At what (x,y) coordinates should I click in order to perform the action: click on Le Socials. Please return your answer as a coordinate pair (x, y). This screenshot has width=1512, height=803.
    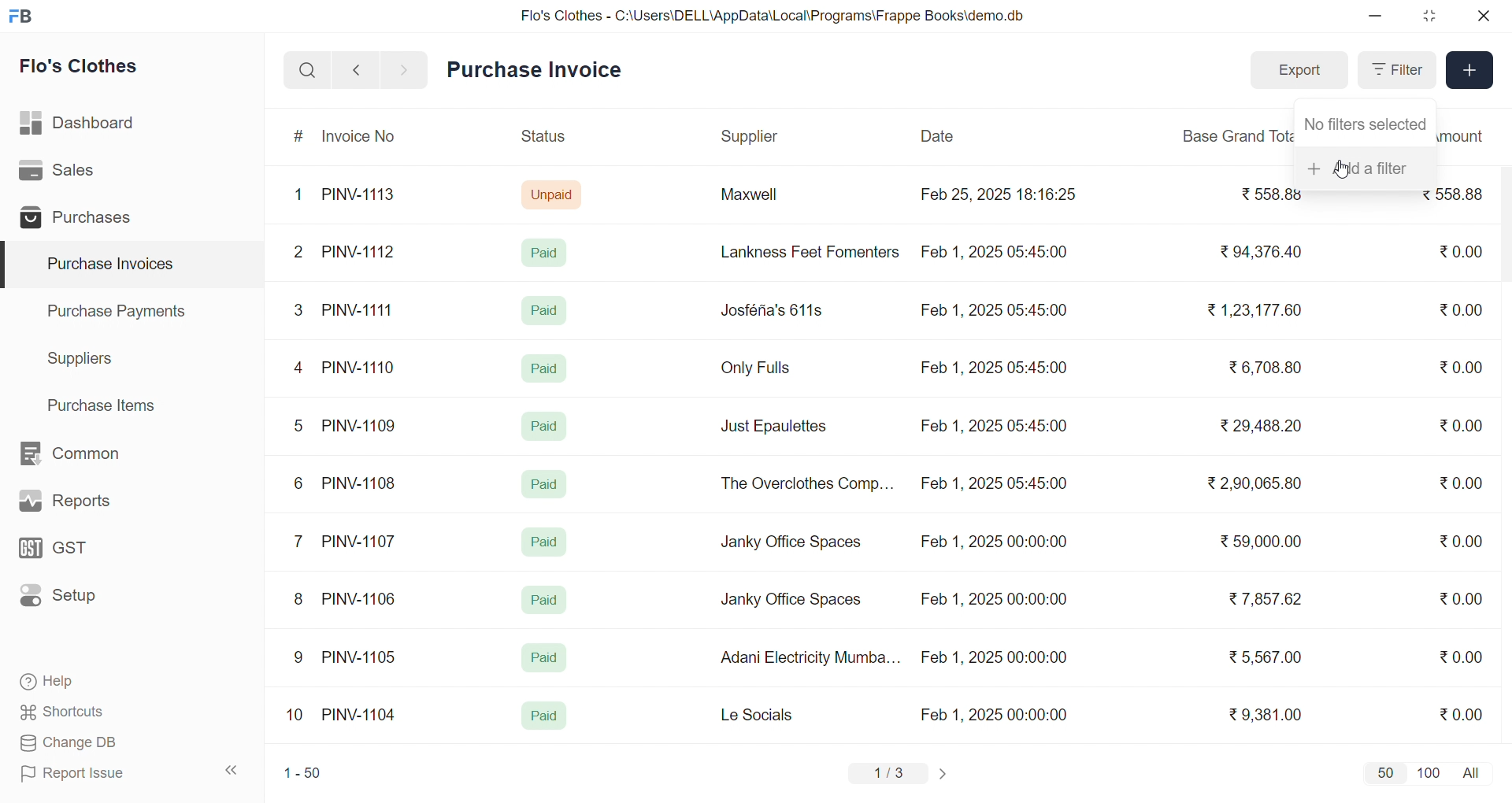
    Looking at the image, I should click on (770, 714).